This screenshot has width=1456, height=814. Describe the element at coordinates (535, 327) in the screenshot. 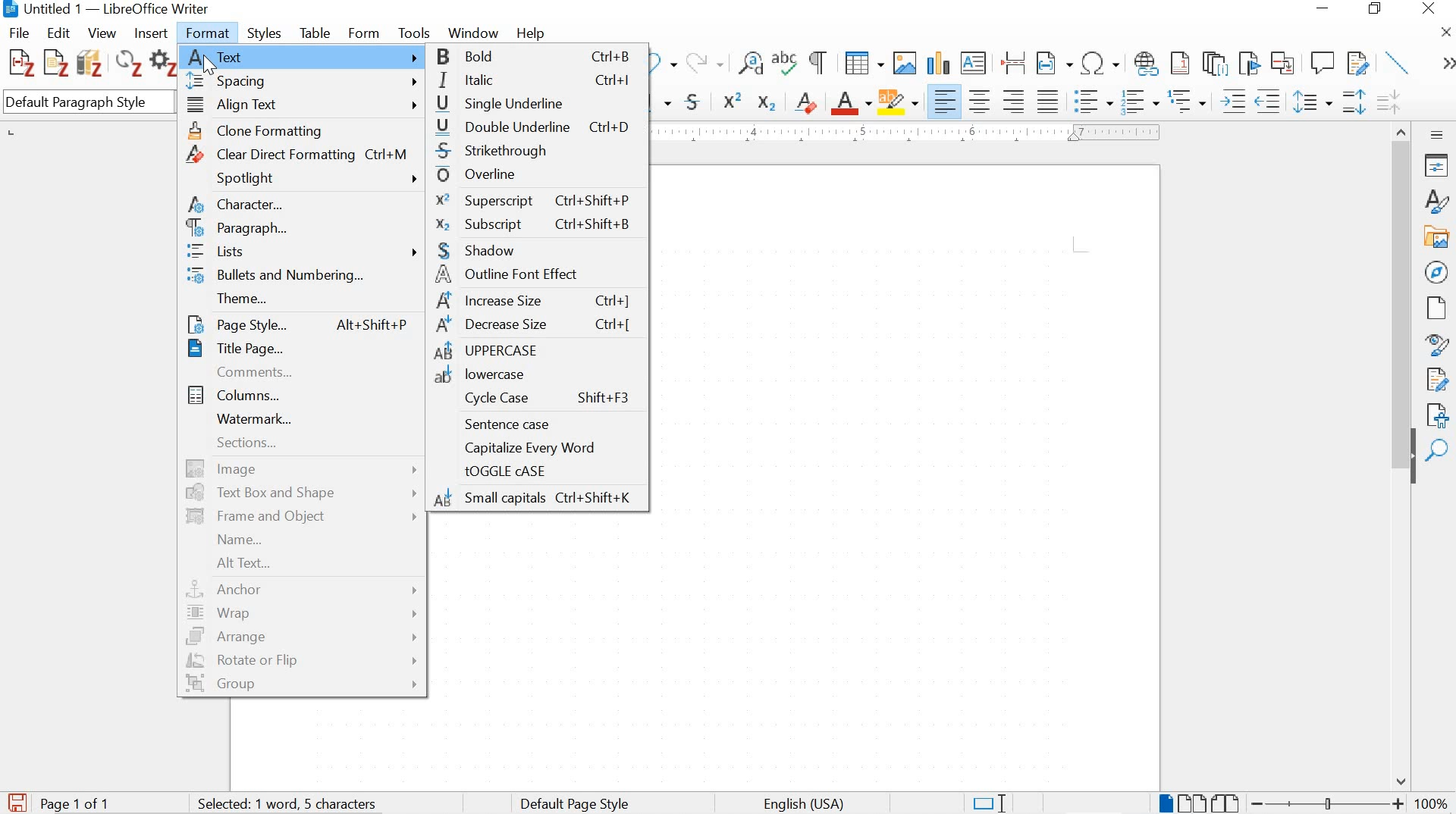

I see `decrease size       Ctrl+[` at that location.